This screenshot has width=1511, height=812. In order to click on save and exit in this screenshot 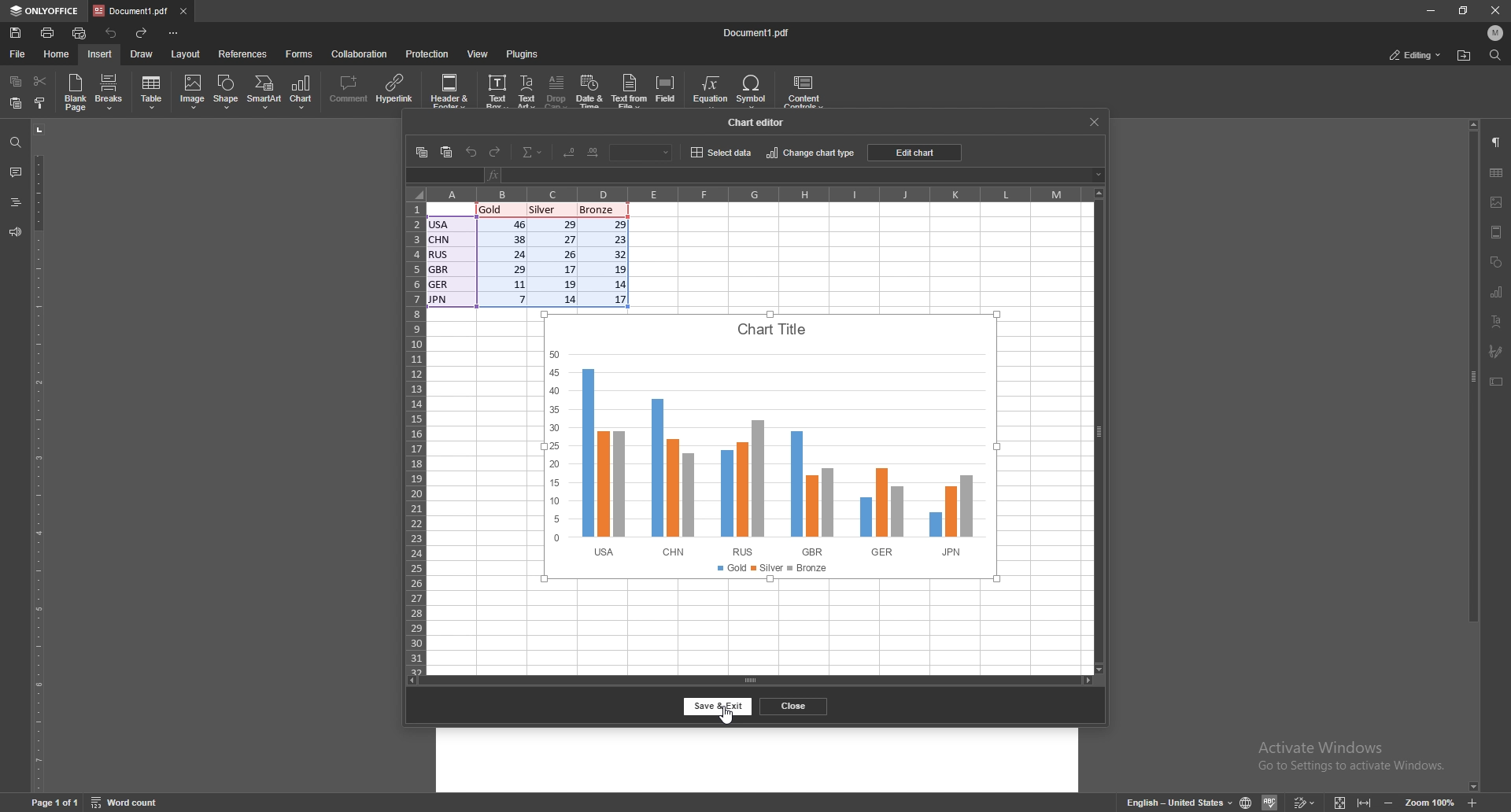, I will do `click(719, 707)`.